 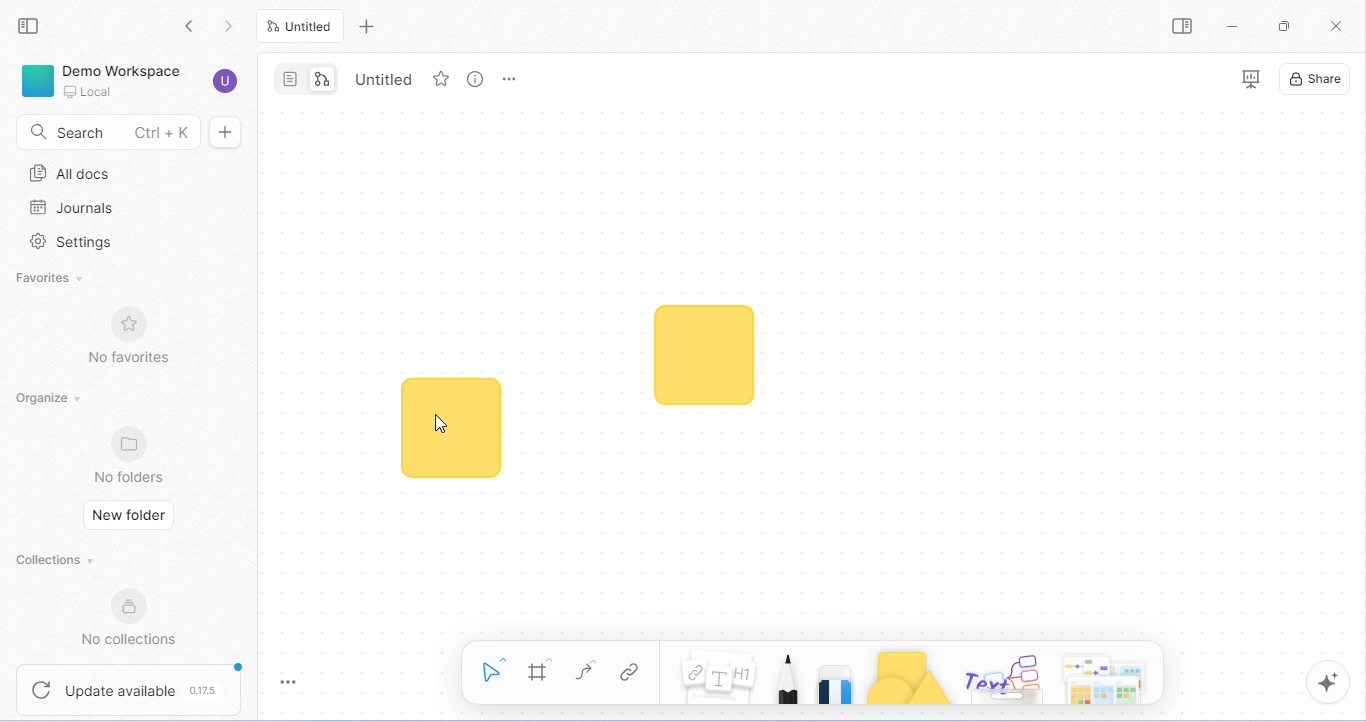 I want to click on settings, so click(x=70, y=244).